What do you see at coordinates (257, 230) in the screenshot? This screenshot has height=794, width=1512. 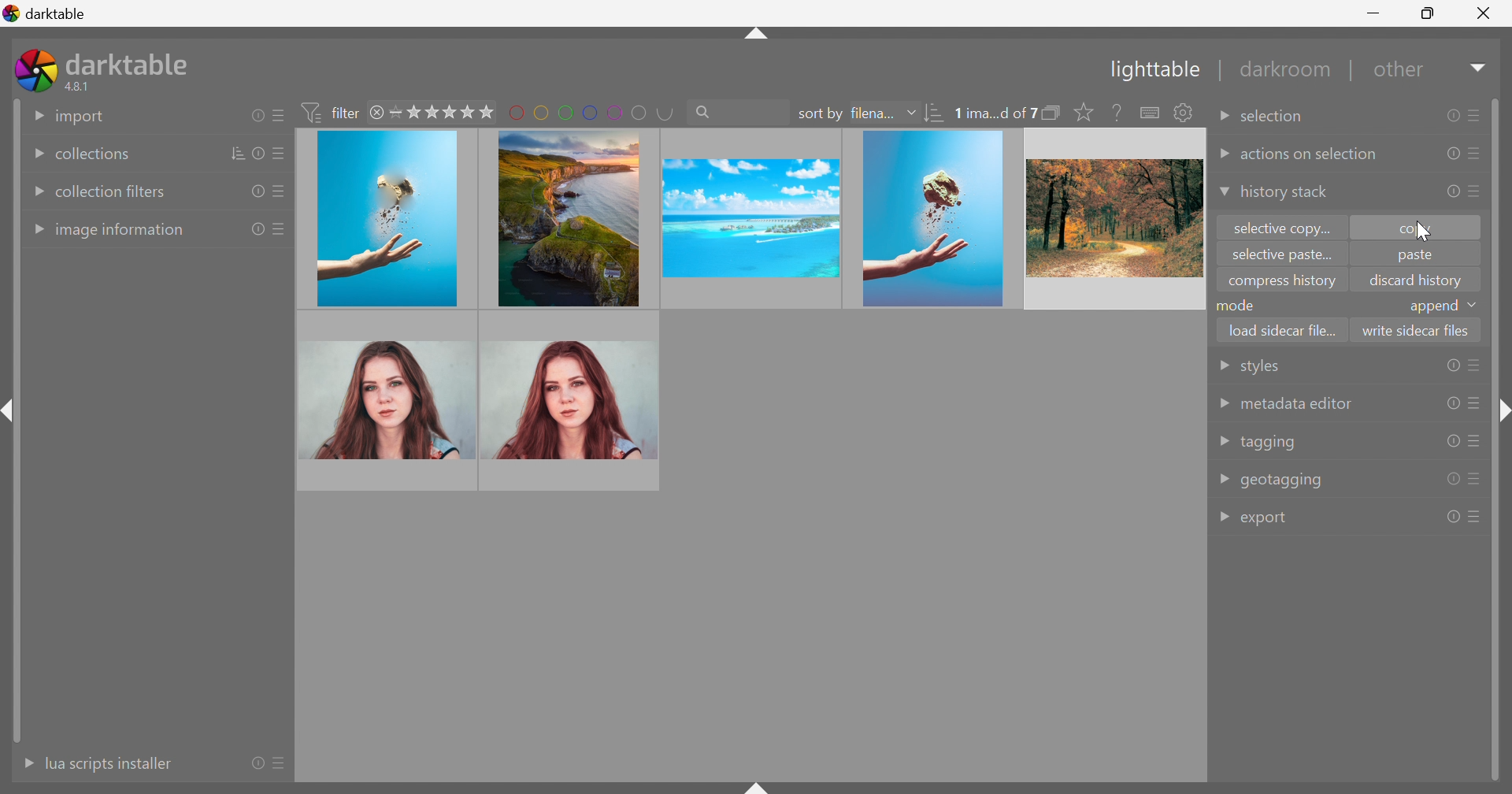 I see `reset` at bounding box center [257, 230].